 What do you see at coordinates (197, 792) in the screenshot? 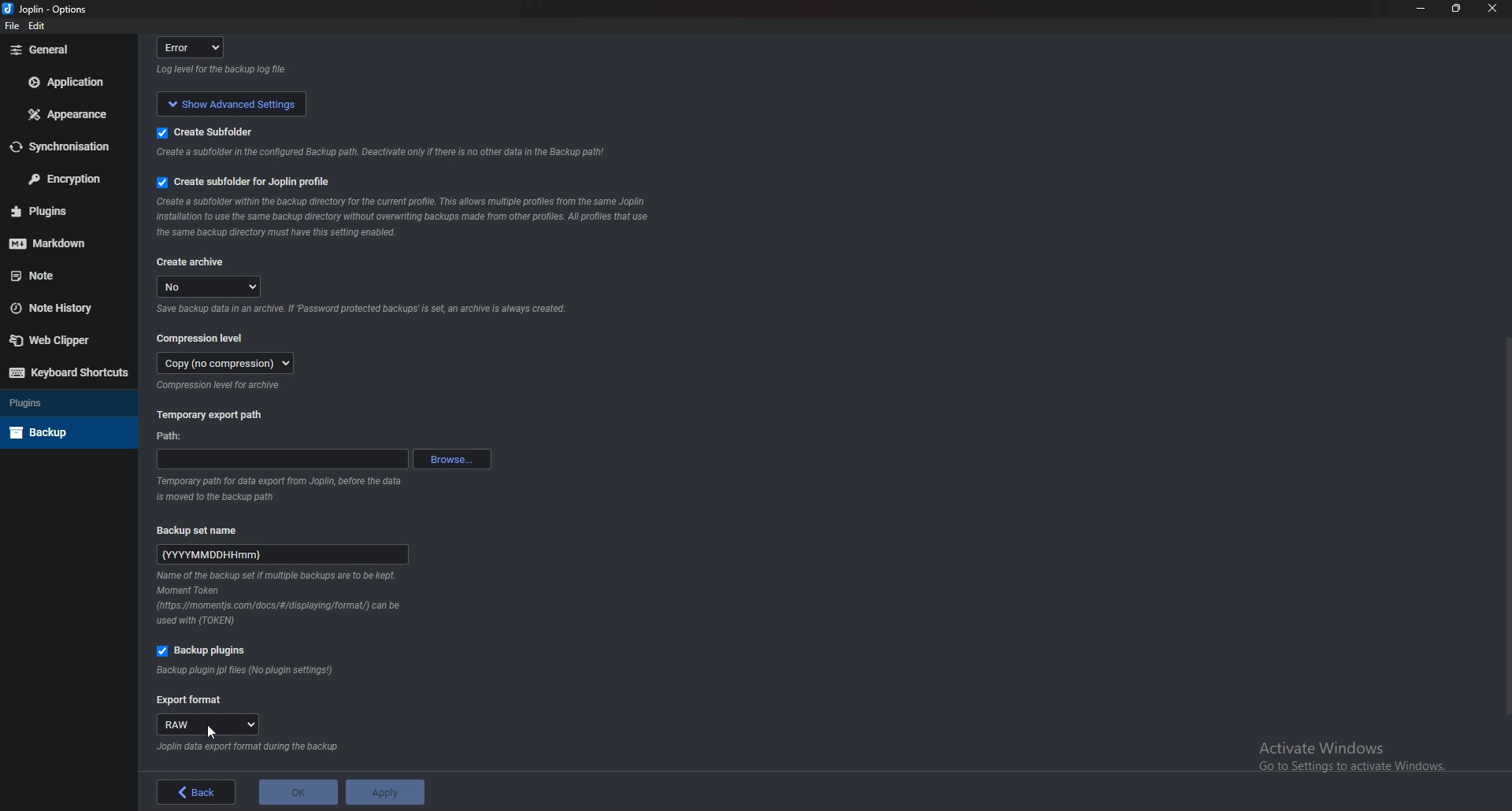
I see `back` at bounding box center [197, 792].